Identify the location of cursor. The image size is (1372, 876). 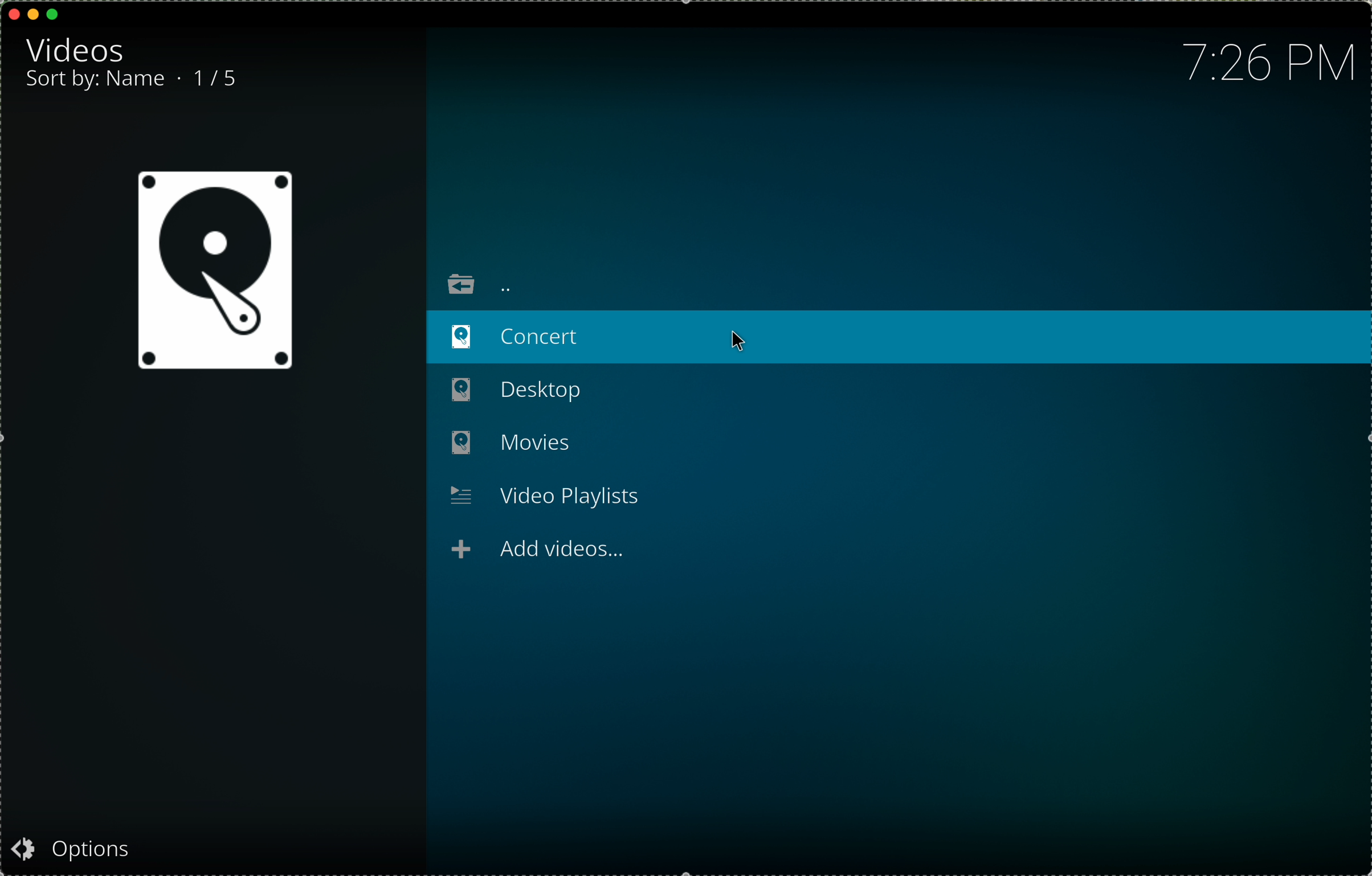
(742, 345).